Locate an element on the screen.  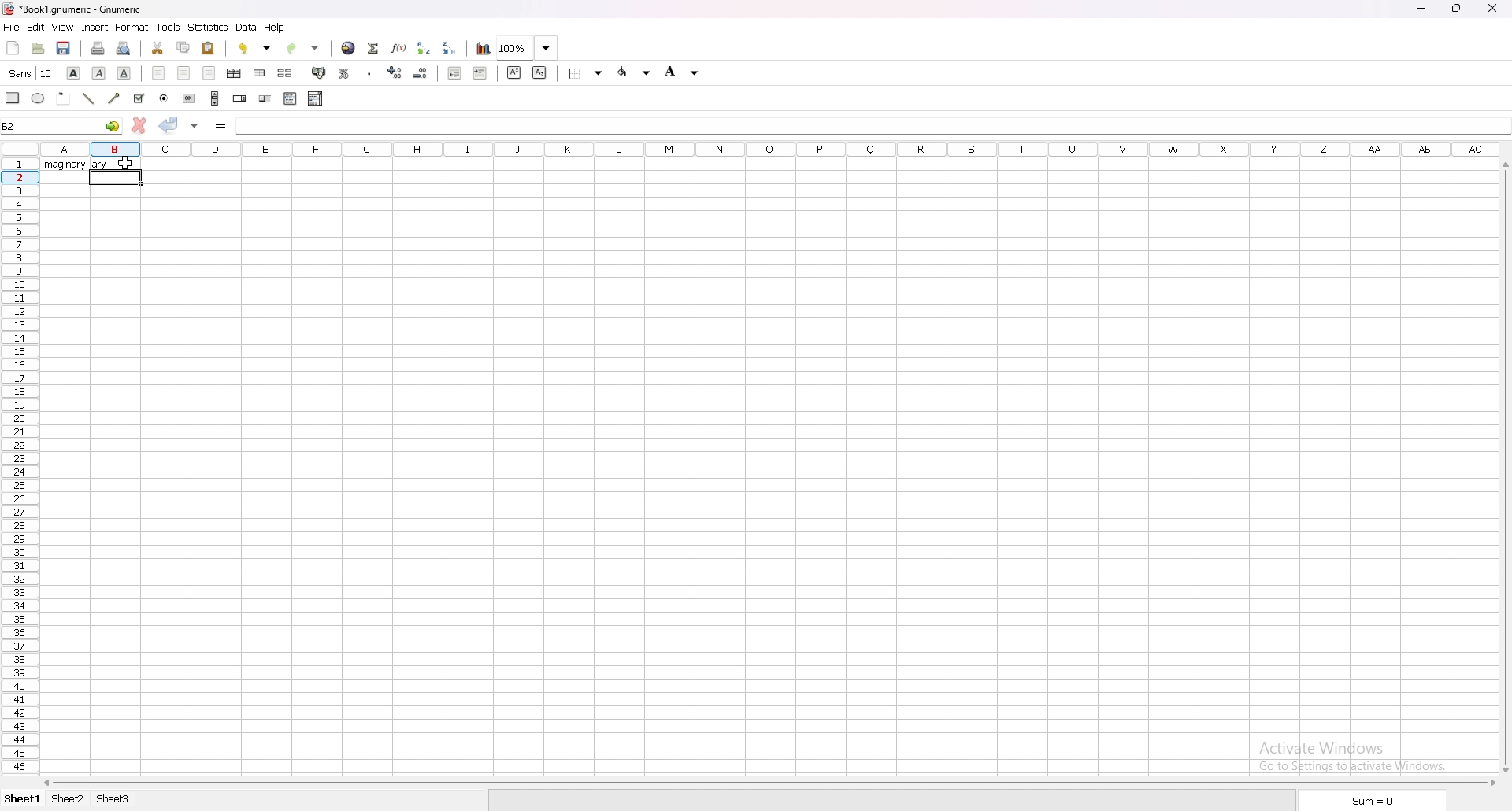
formula is located at coordinates (272, 127).